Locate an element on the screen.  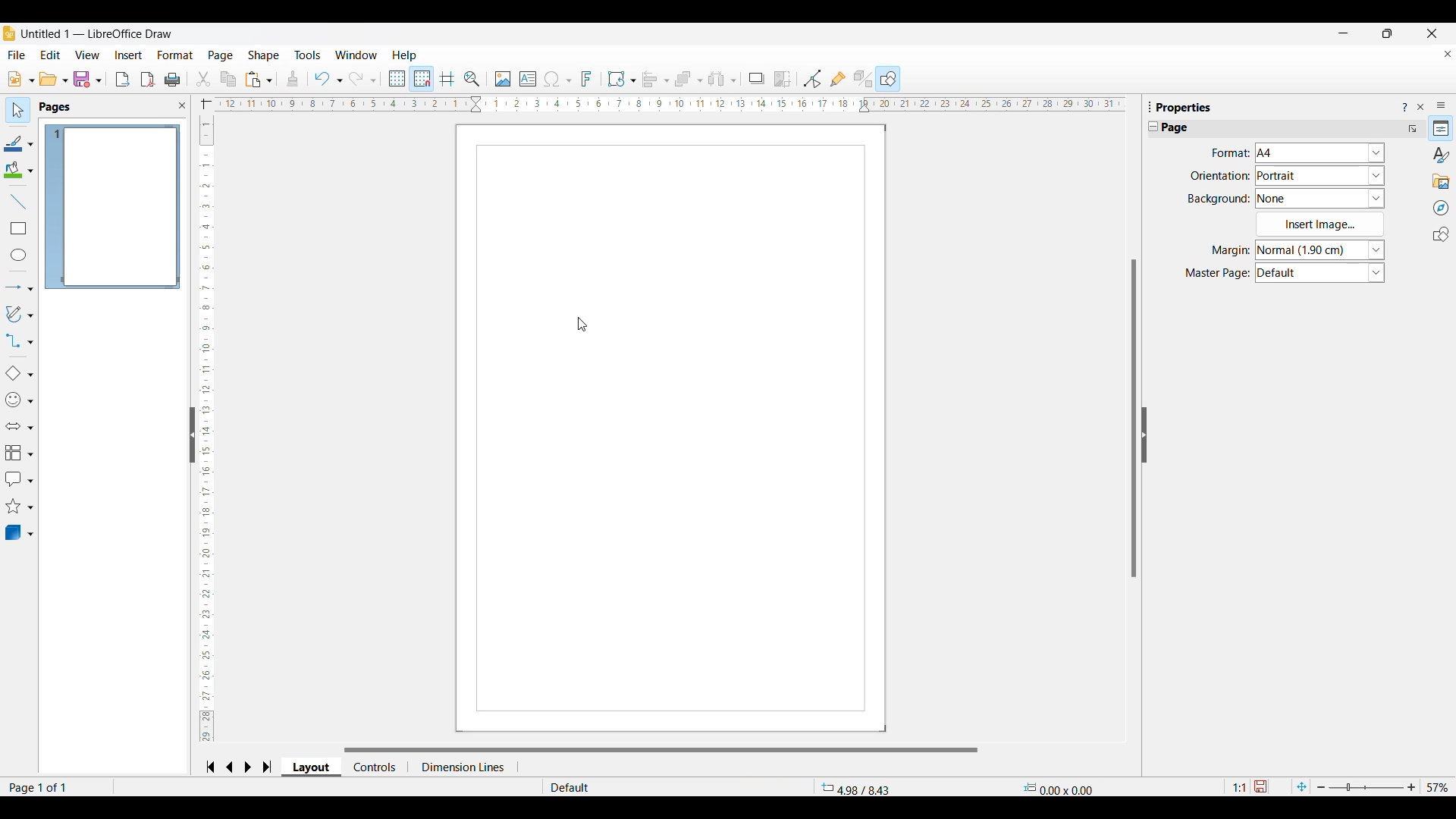
Paste is located at coordinates (259, 80).